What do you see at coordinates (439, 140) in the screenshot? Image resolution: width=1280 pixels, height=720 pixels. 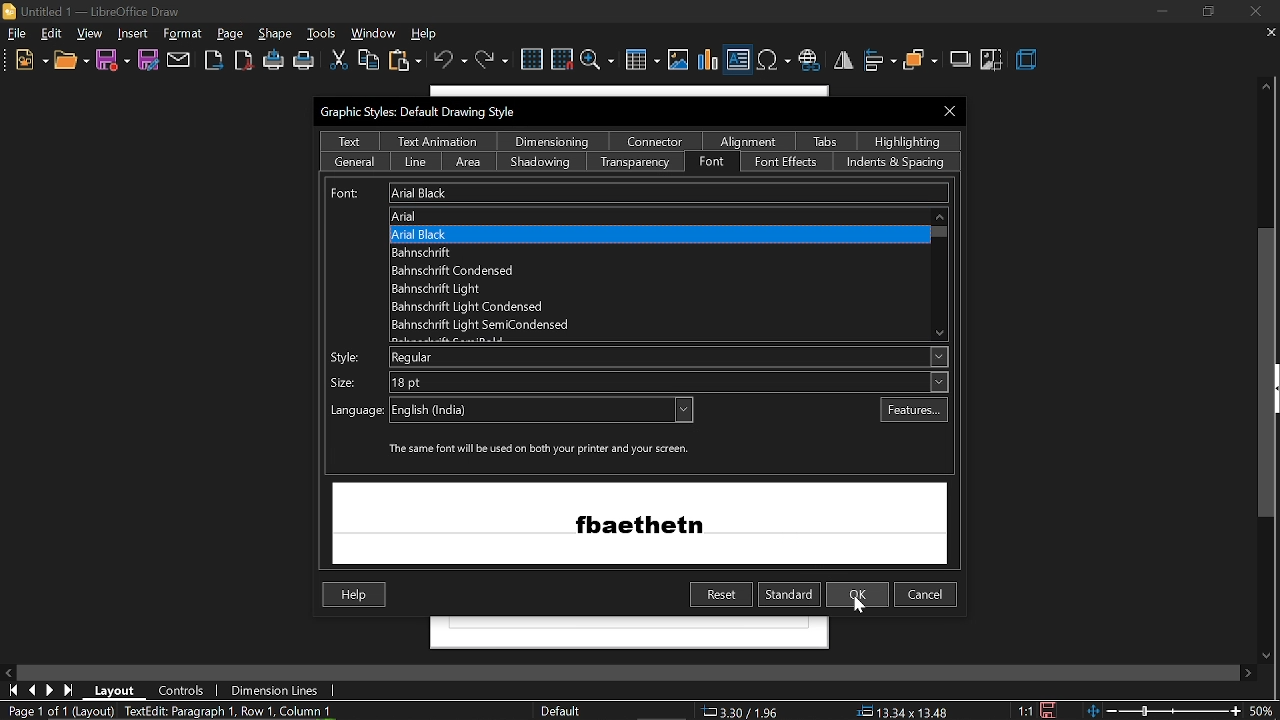 I see `text animation` at bounding box center [439, 140].